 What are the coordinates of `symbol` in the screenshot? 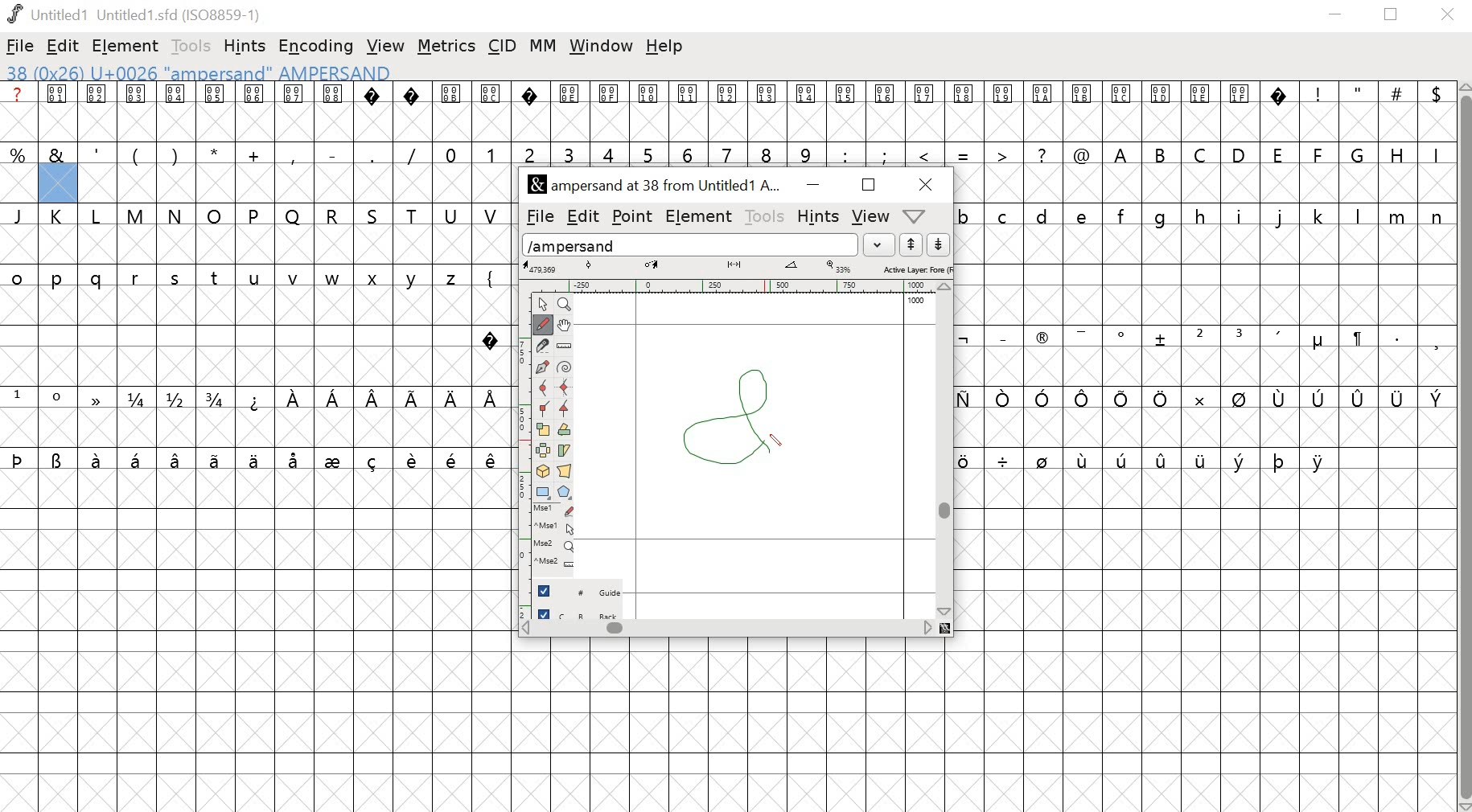 It's located at (374, 459).